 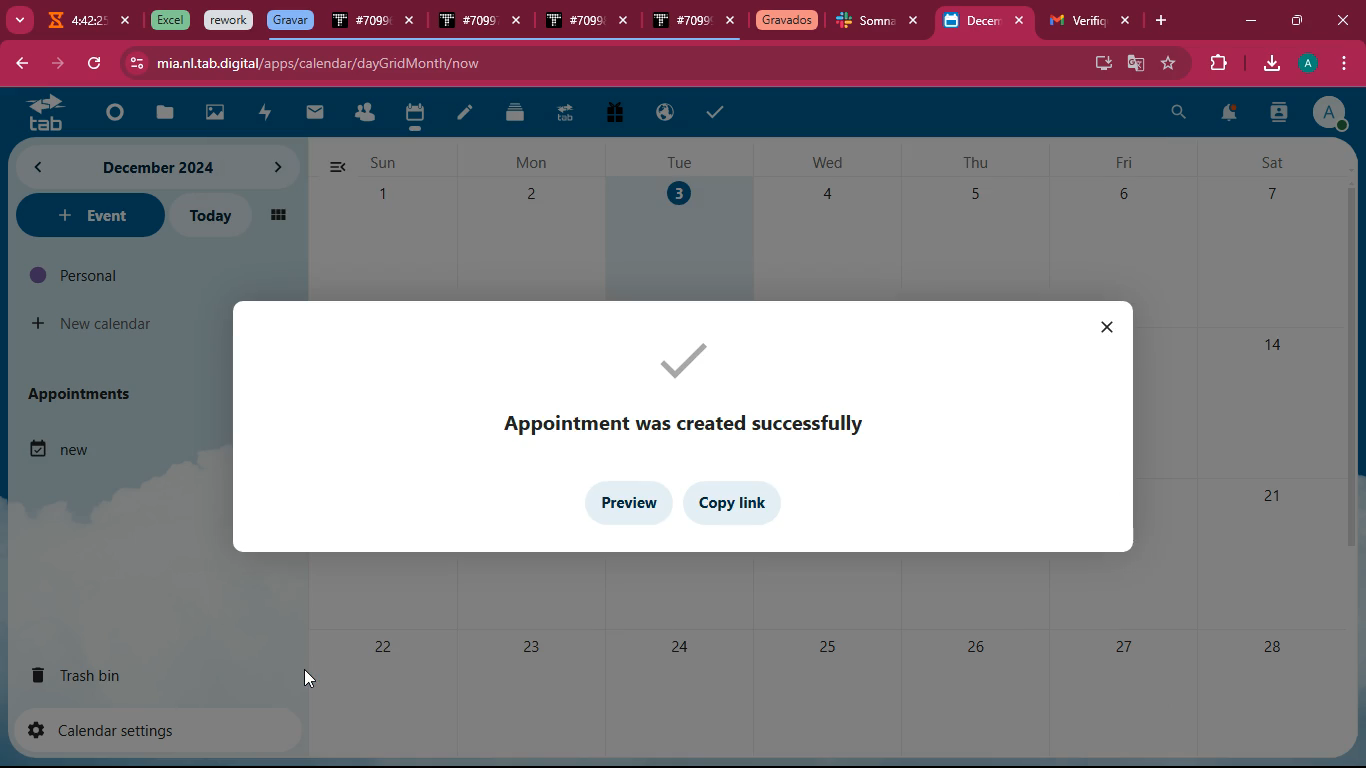 I want to click on google translator, so click(x=1136, y=63).